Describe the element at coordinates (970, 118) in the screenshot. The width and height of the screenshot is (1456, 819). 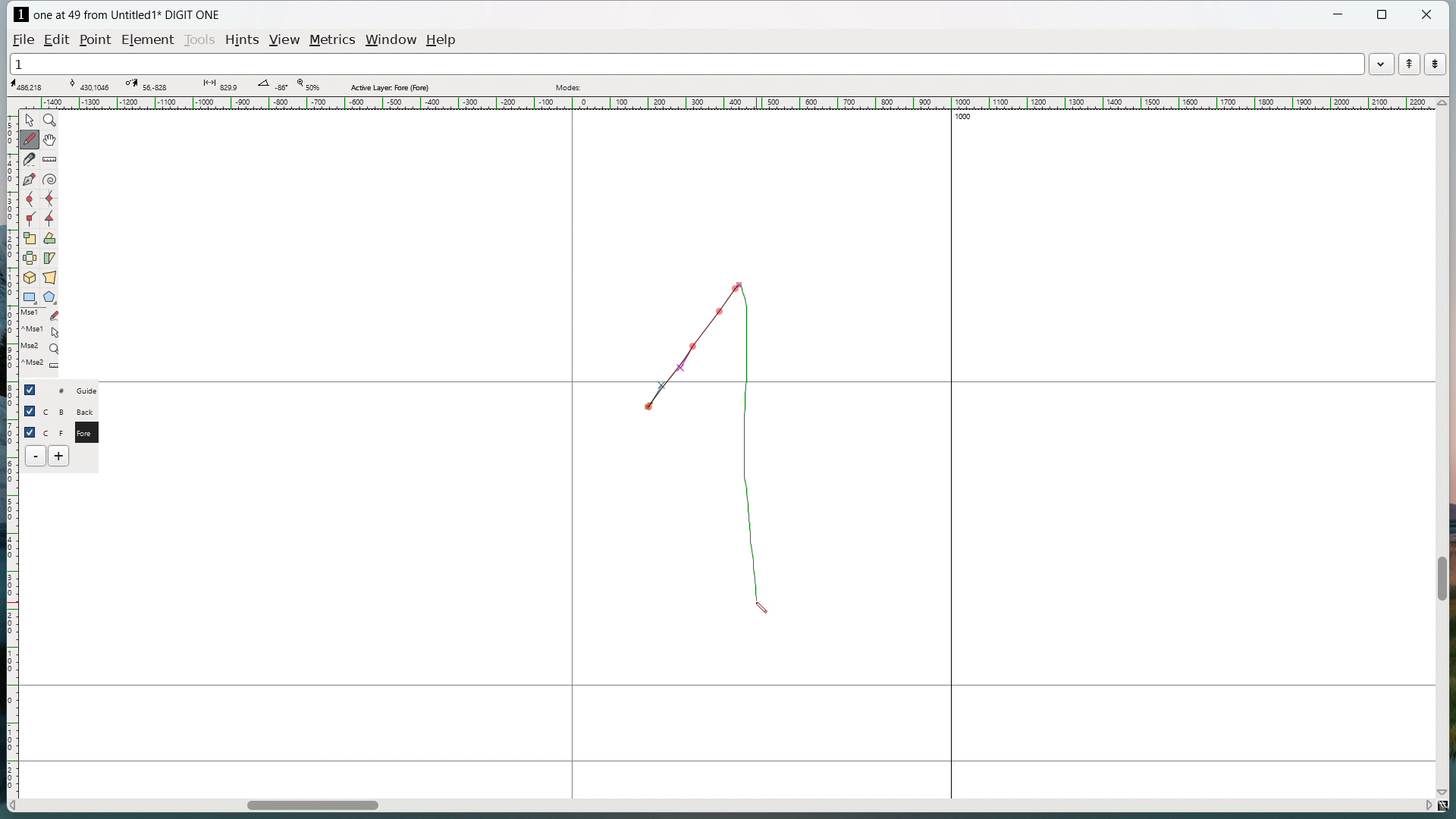
I see `1000` at that location.